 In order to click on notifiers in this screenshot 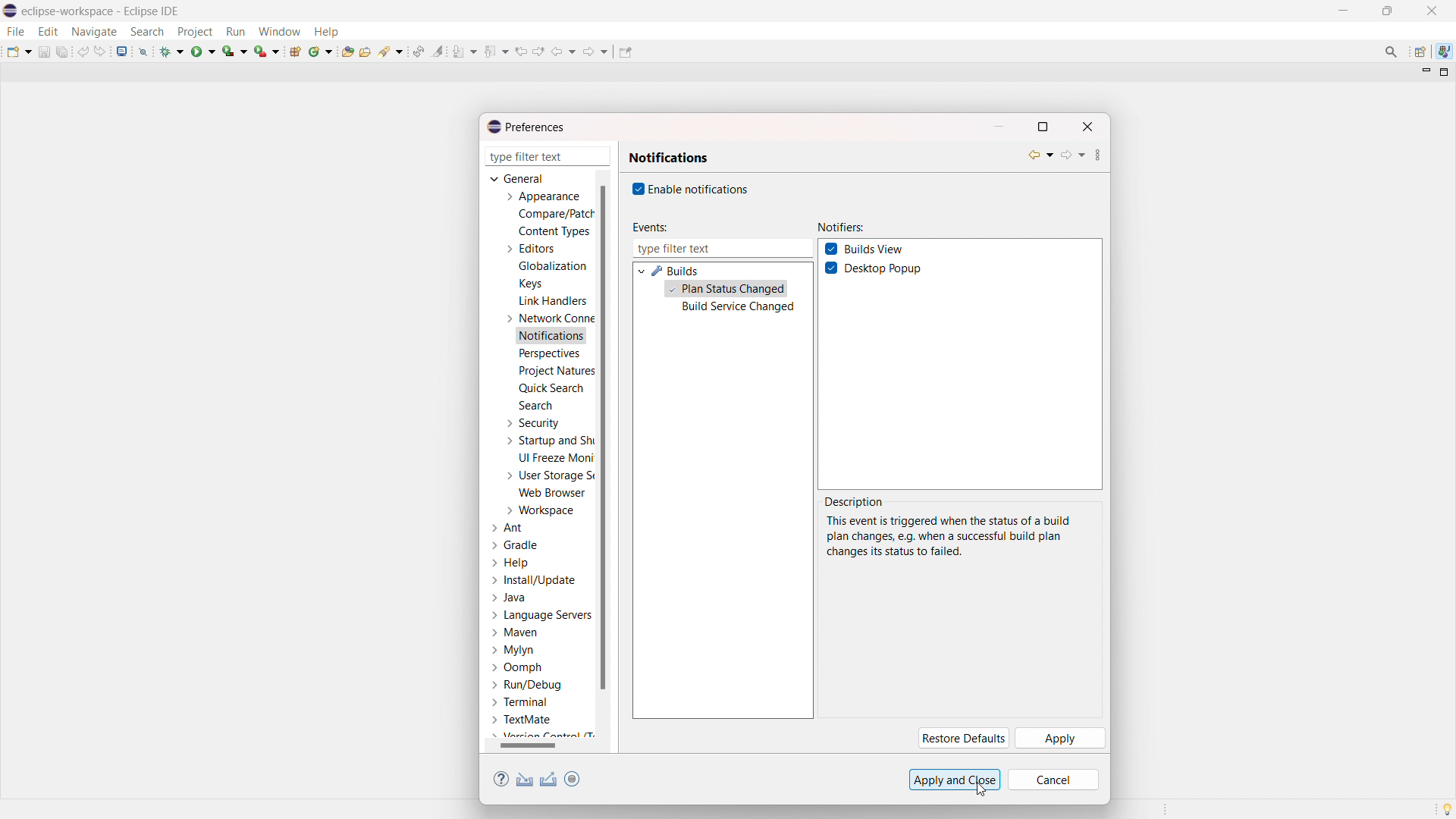, I will do `click(841, 227)`.